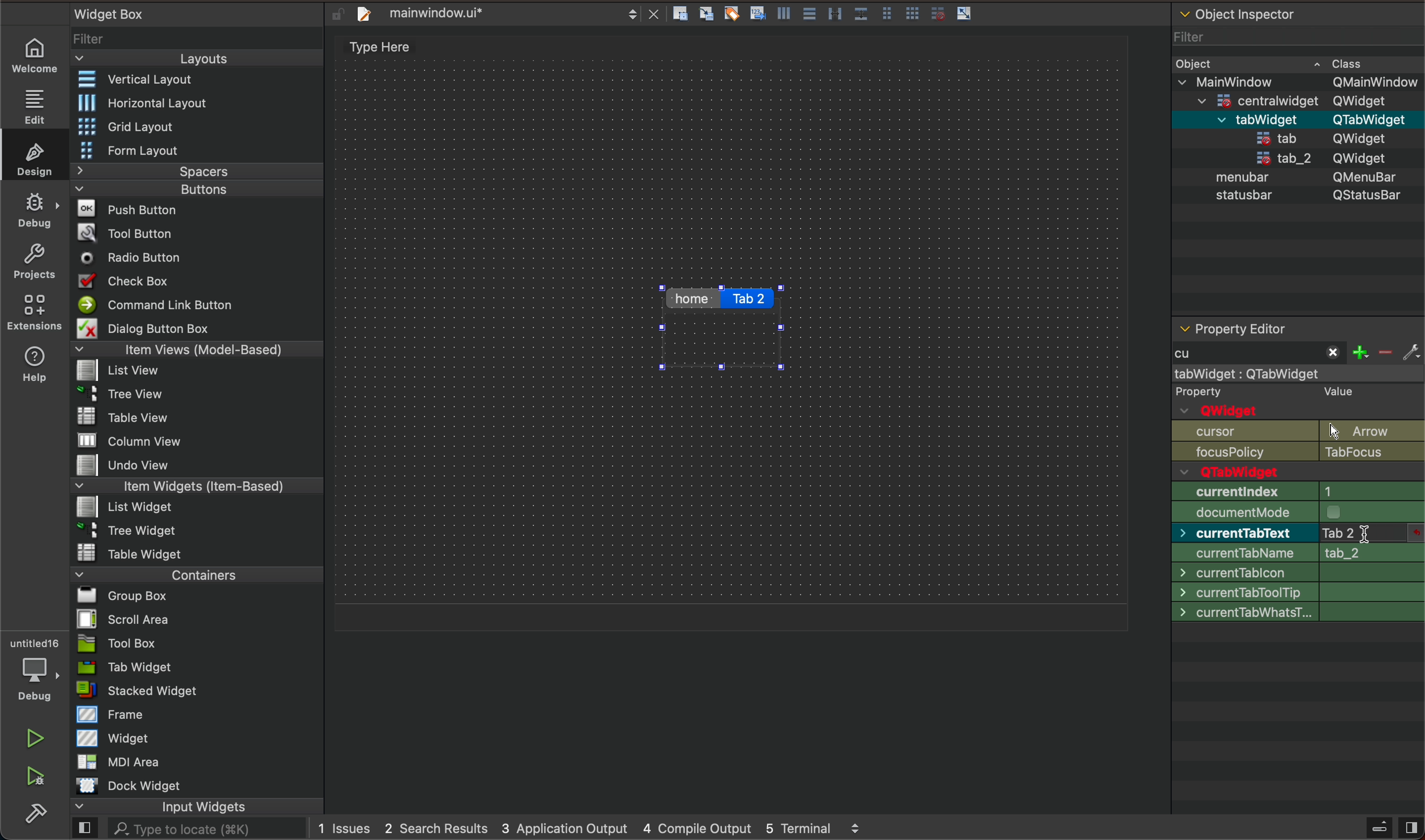  What do you see at coordinates (198, 350) in the screenshot?
I see `Item Views (Model-Based)` at bounding box center [198, 350].